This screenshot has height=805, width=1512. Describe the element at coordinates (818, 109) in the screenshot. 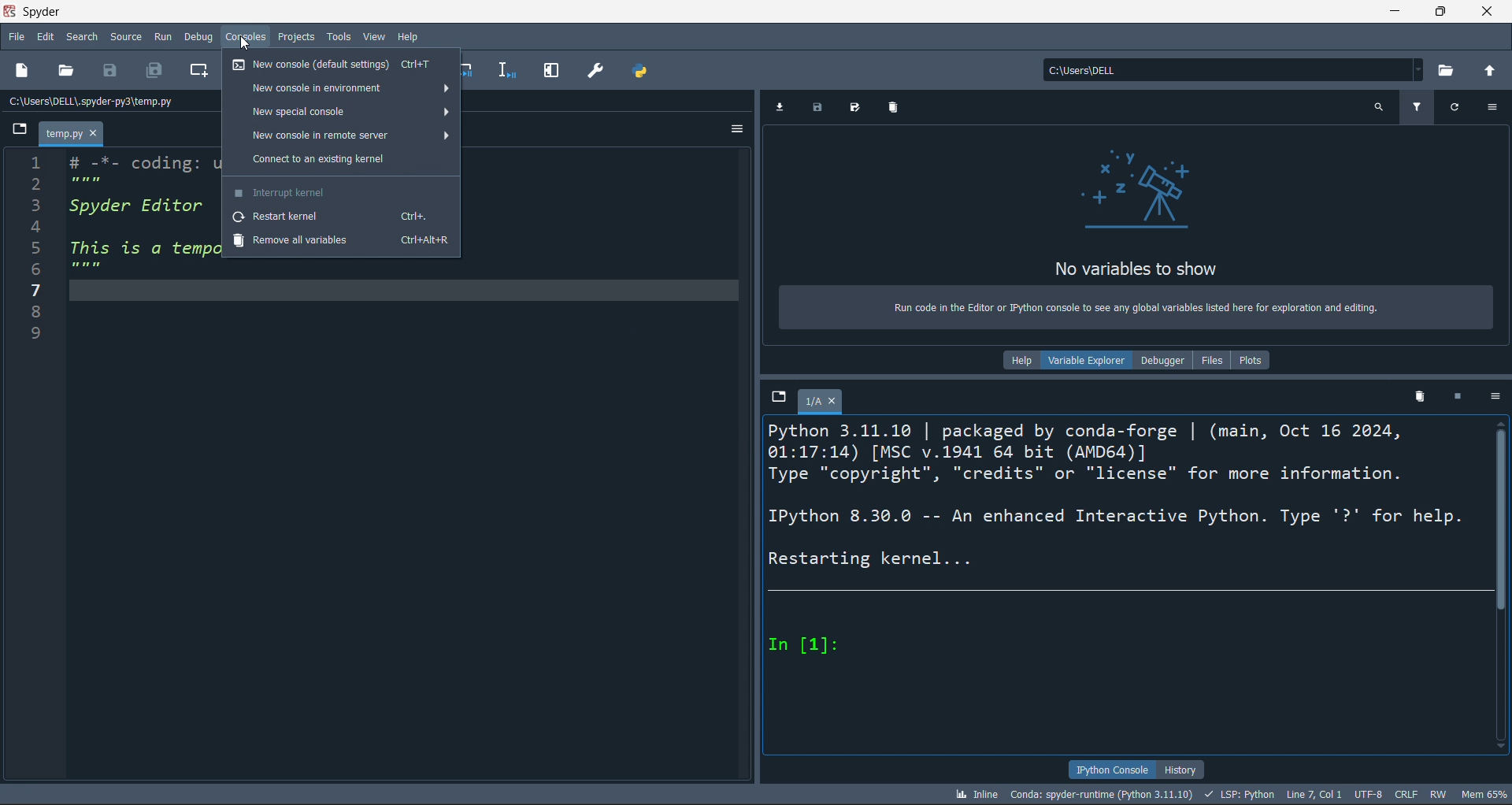

I see `save ` at that location.